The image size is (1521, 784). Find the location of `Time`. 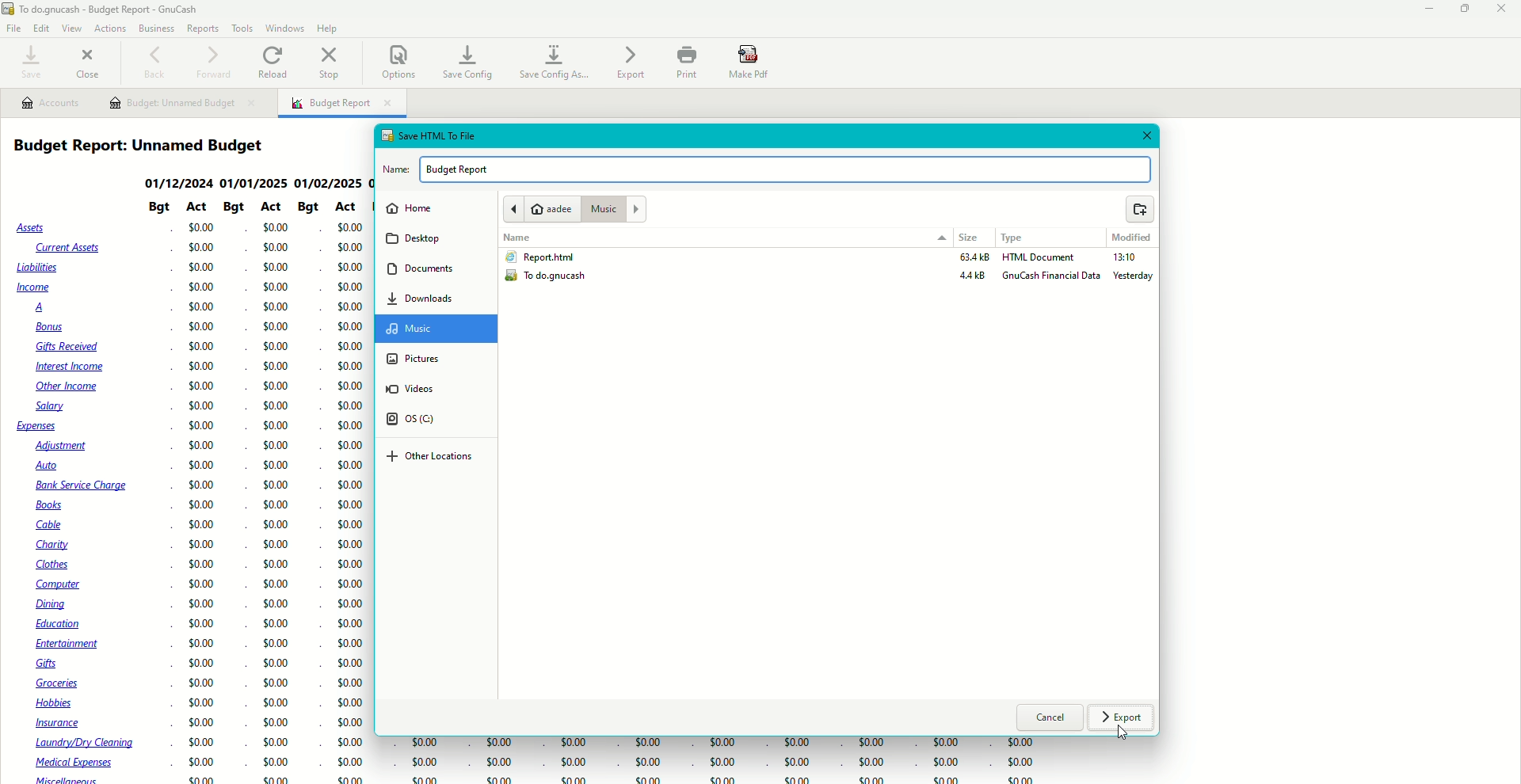

Time is located at coordinates (1124, 260).